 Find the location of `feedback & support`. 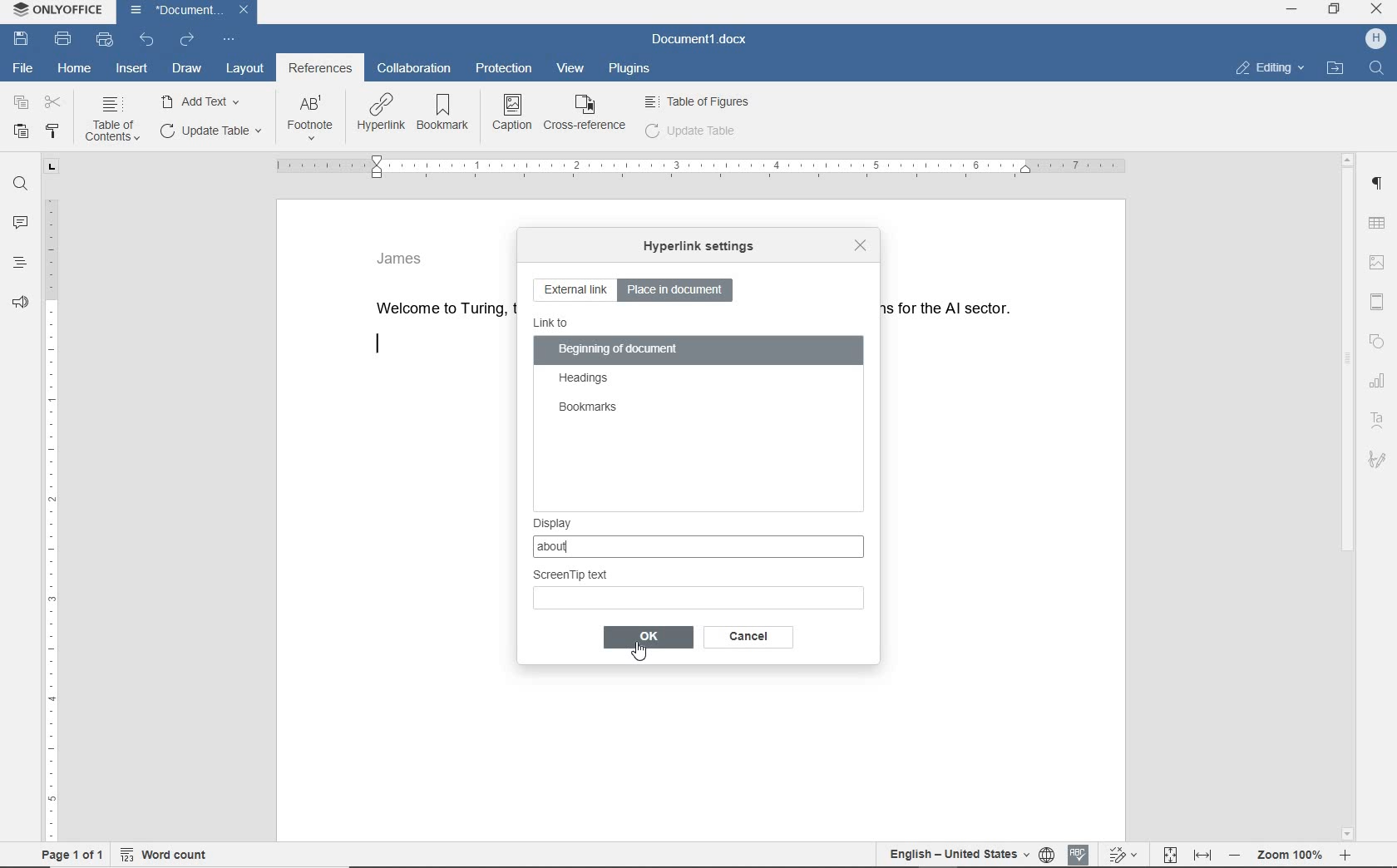

feedback & support is located at coordinates (18, 306).